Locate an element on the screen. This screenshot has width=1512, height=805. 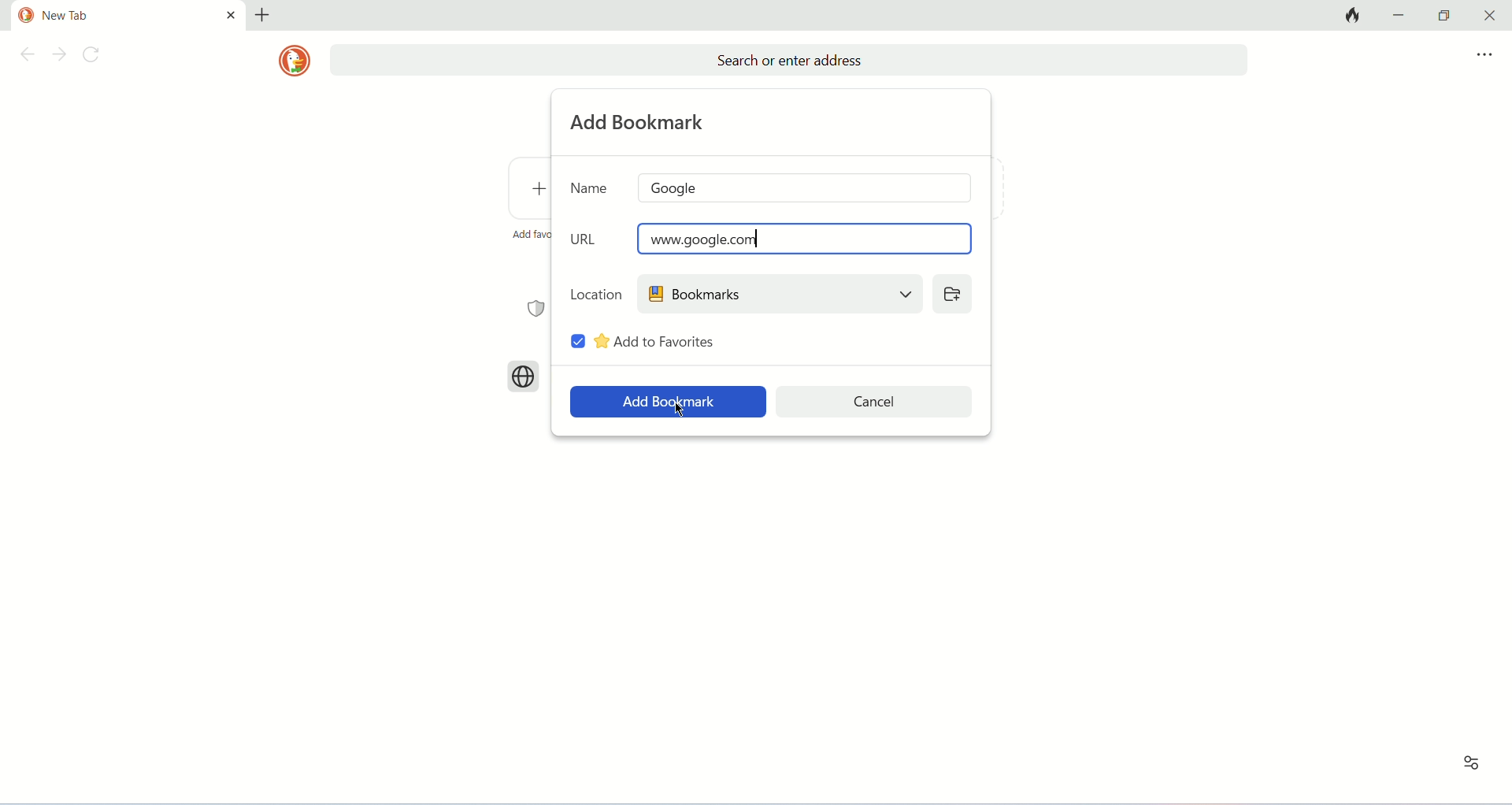
mouse cursor is located at coordinates (679, 410).